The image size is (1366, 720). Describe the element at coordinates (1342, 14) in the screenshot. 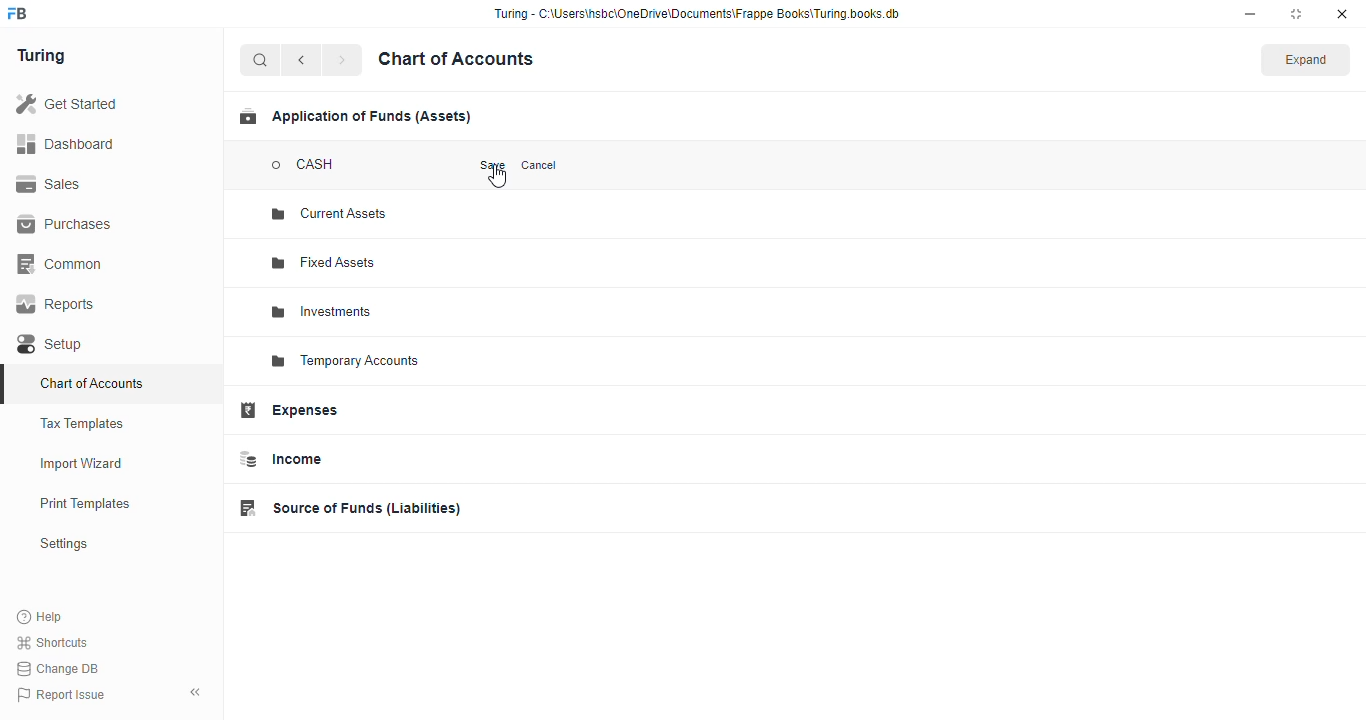

I see `close` at that location.